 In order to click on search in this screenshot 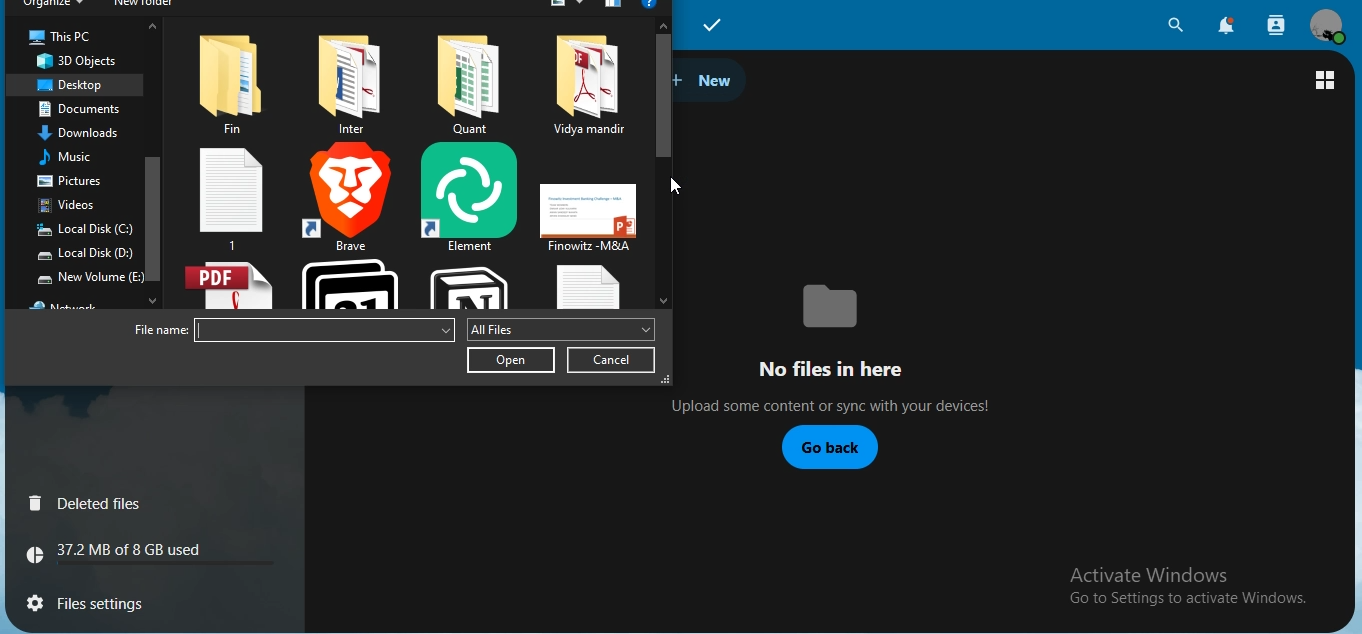, I will do `click(1176, 24)`.